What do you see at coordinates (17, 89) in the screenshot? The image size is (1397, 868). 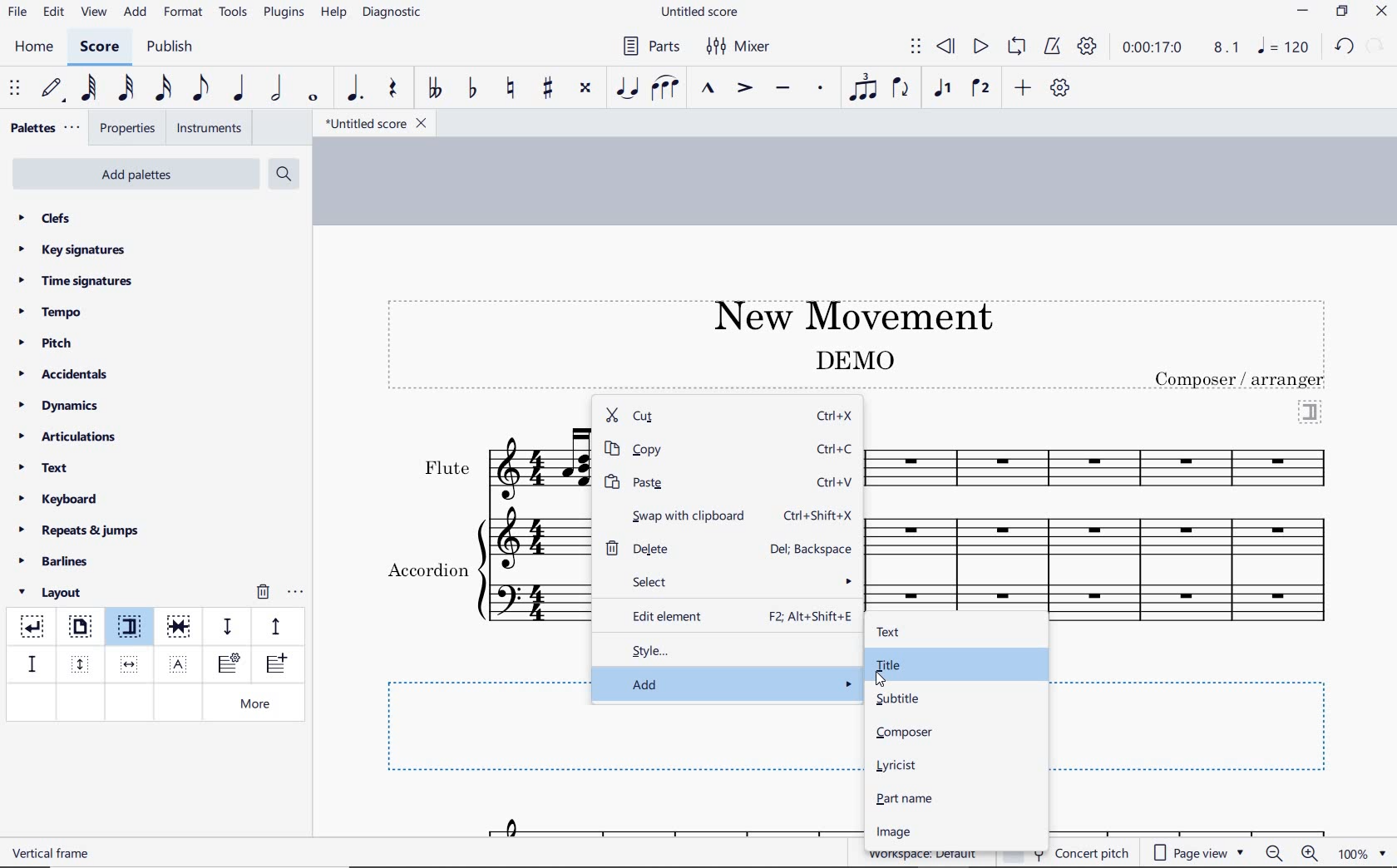 I see `select to move` at bounding box center [17, 89].